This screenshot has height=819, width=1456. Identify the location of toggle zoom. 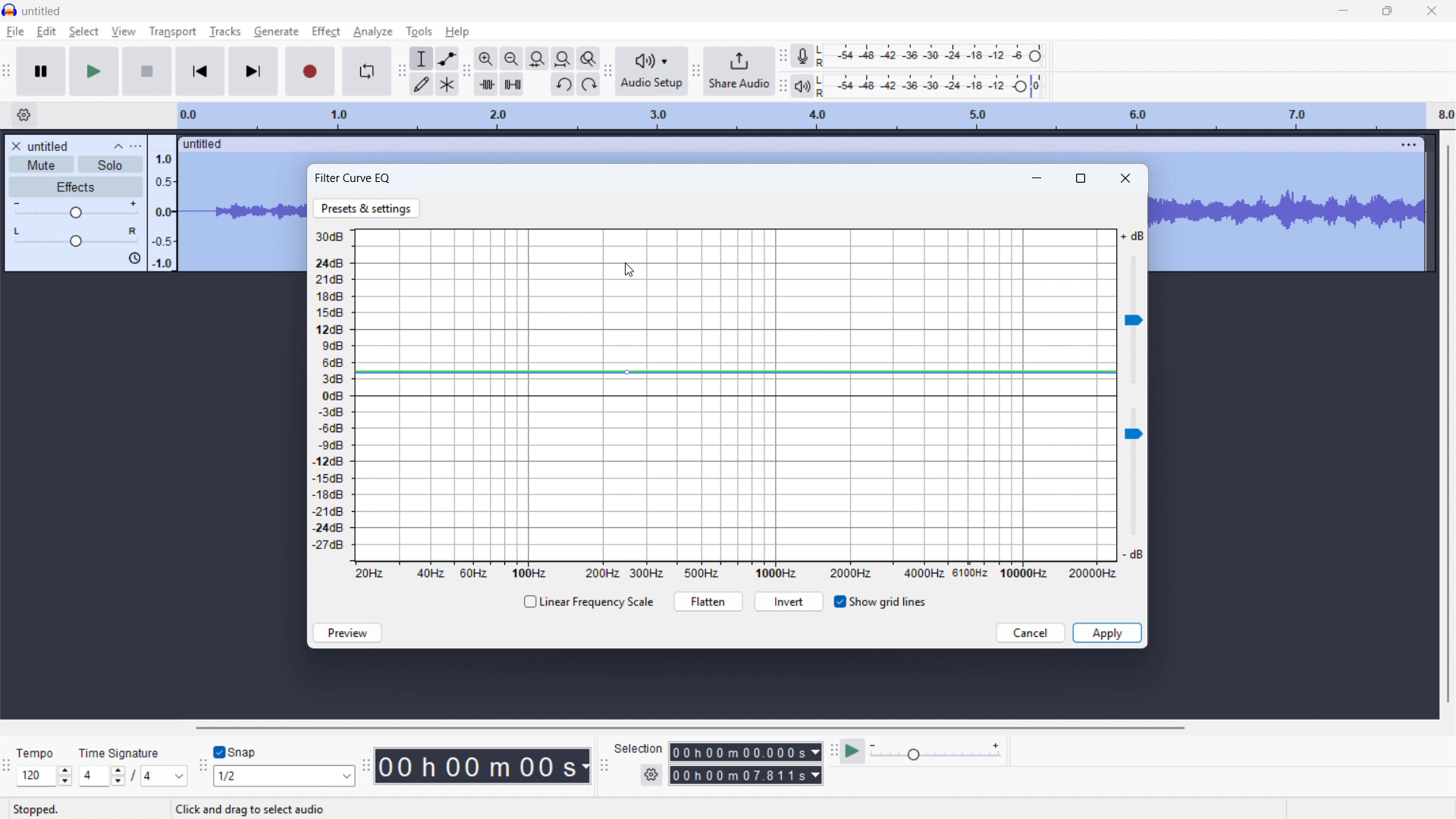
(589, 59).